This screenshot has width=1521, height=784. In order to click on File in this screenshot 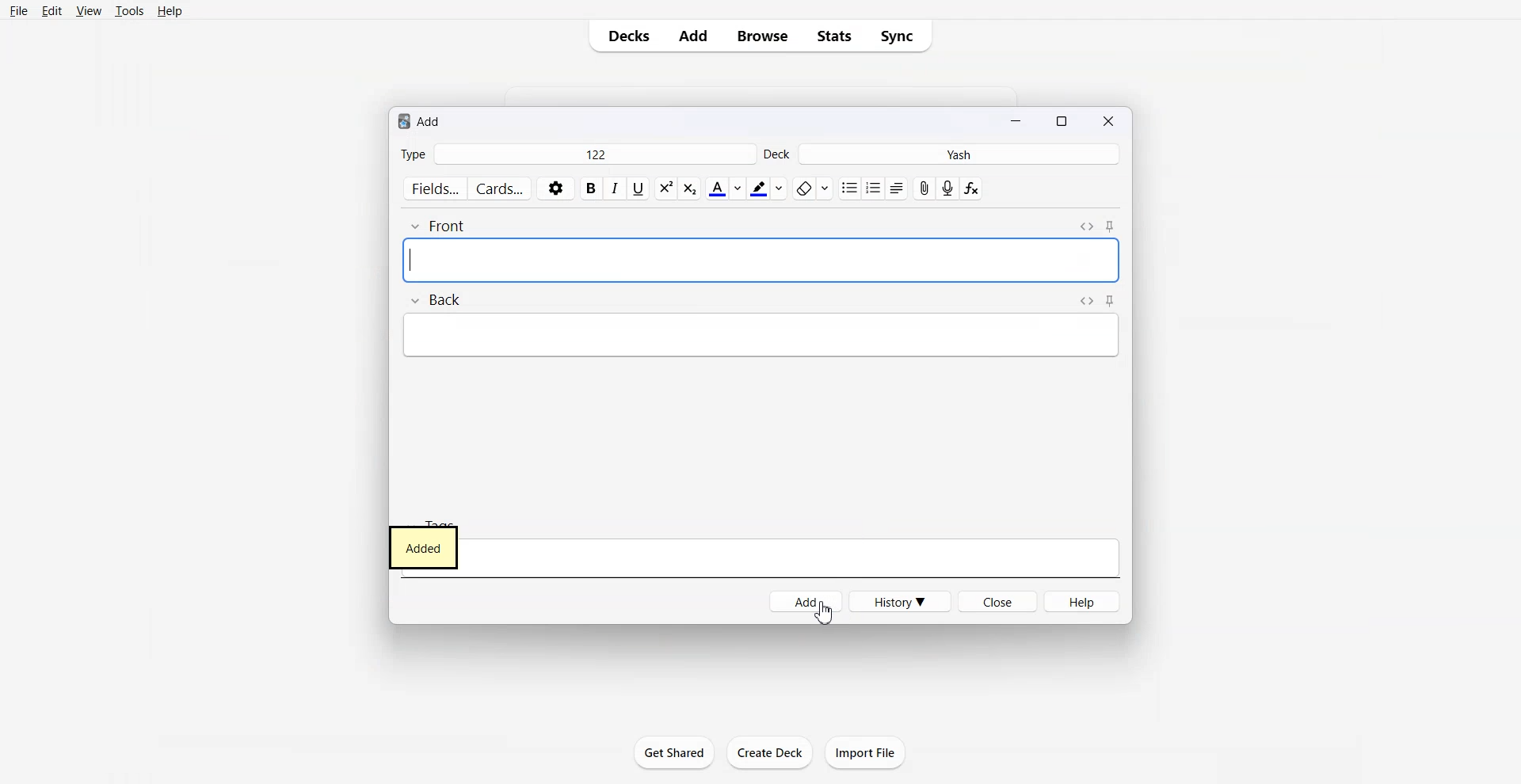, I will do `click(19, 11)`.